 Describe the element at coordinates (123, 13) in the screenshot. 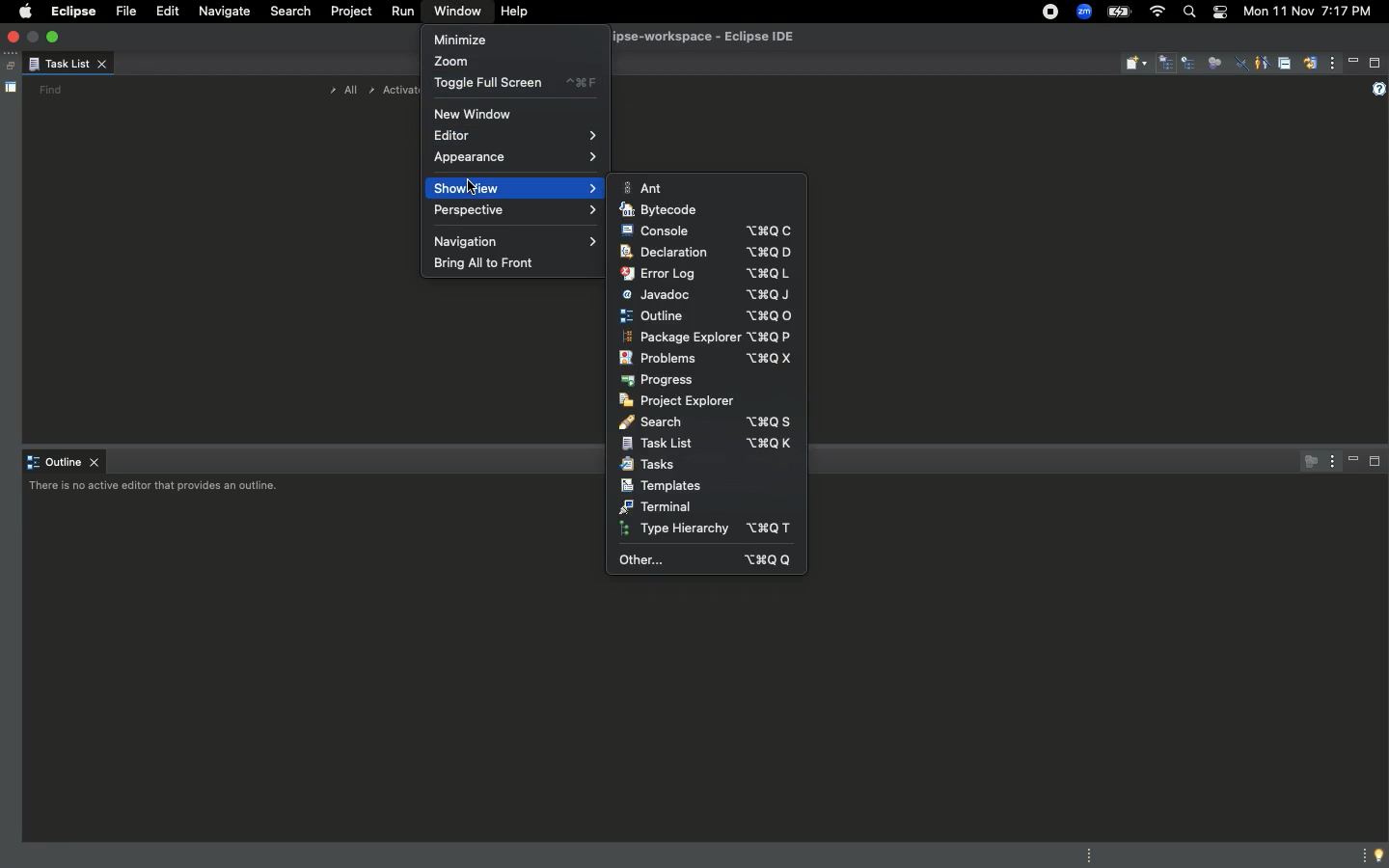

I see `File` at that location.